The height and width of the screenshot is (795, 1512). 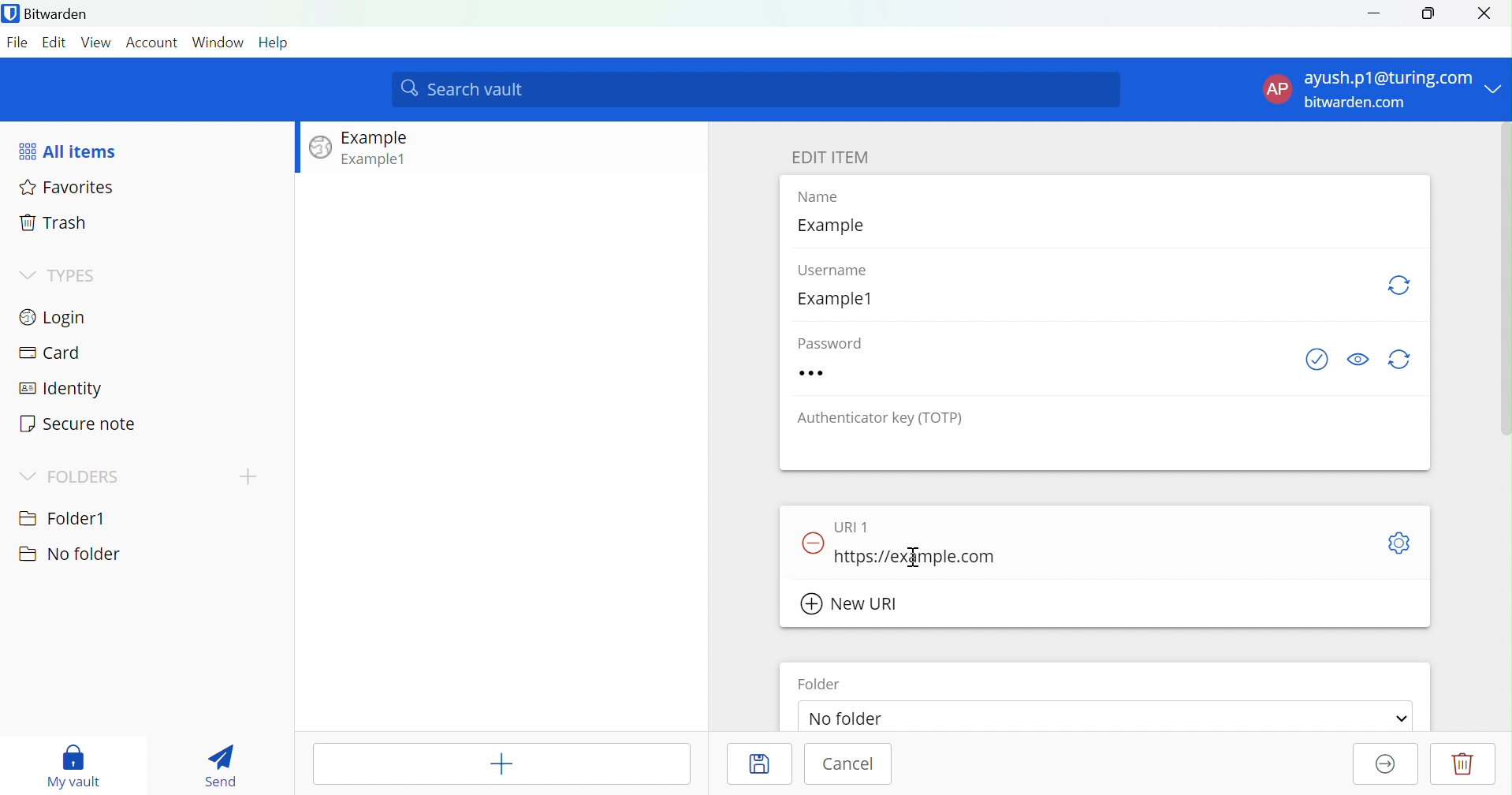 What do you see at coordinates (821, 684) in the screenshot?
I see `Folder` at bounding box center [821, 684].